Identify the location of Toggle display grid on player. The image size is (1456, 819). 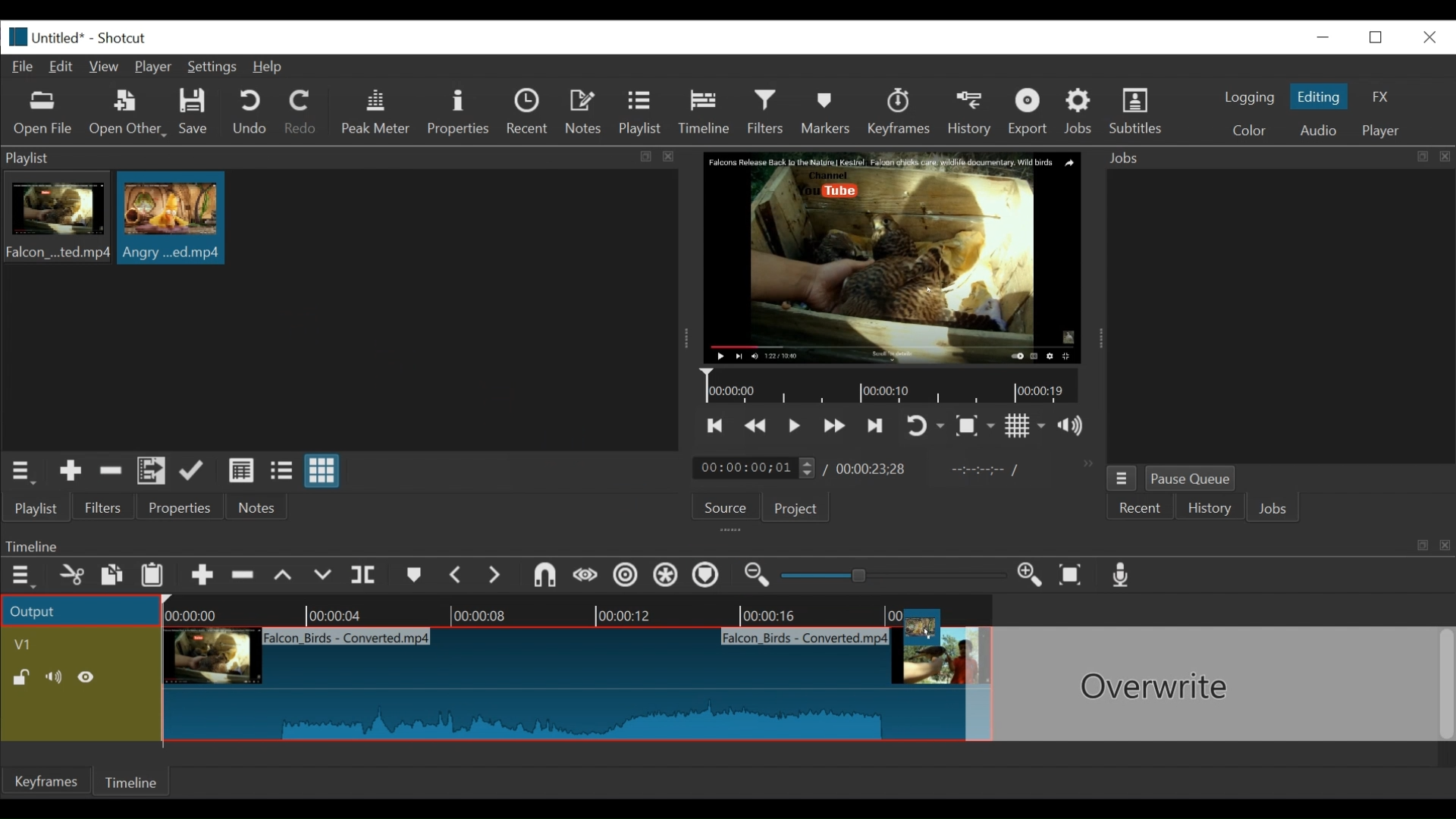
(1025, 425).